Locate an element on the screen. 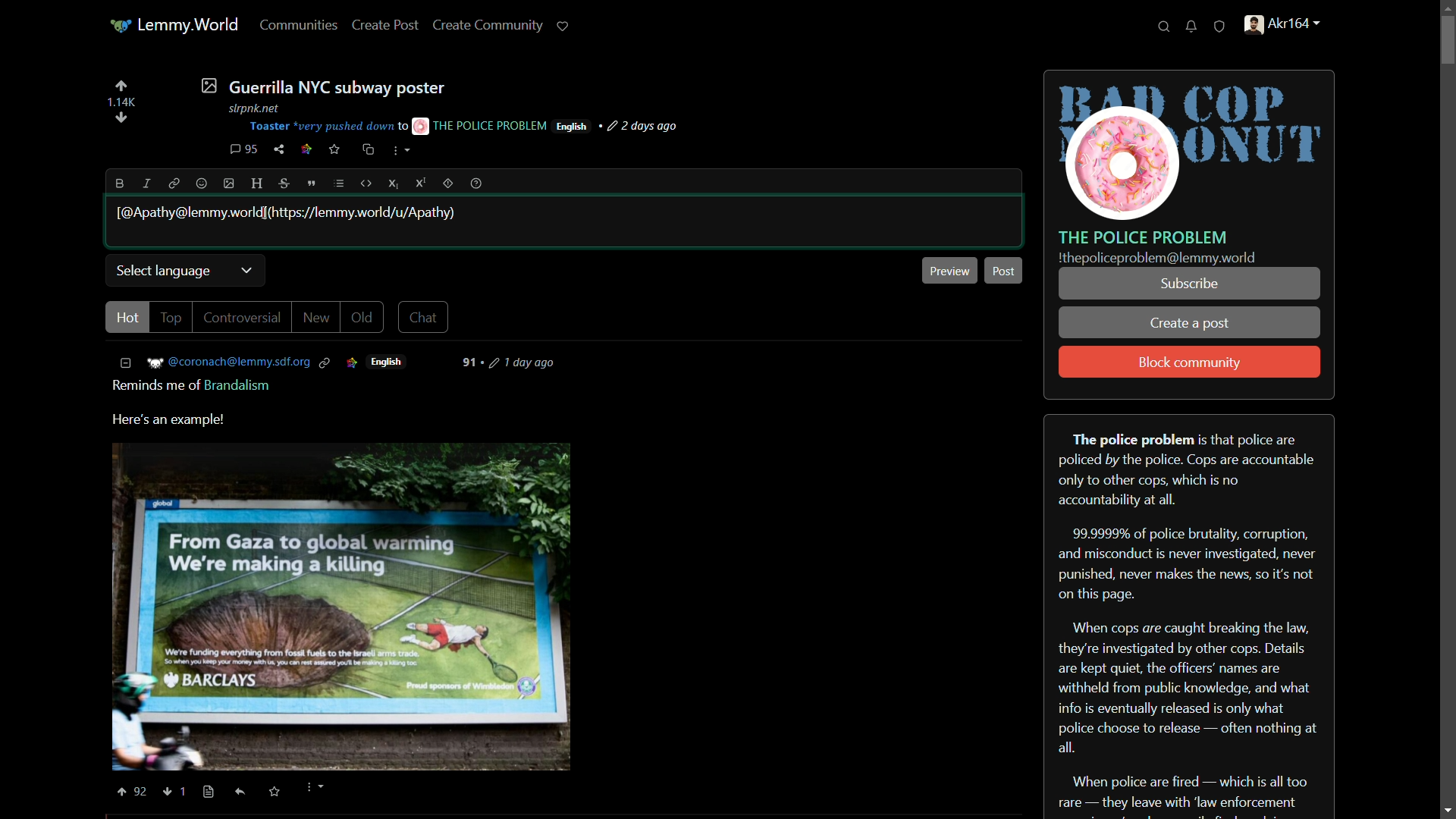 The width and height of the screenshot is (1456, 819). UPVOTE 92 is located at coordinates (134, 792).